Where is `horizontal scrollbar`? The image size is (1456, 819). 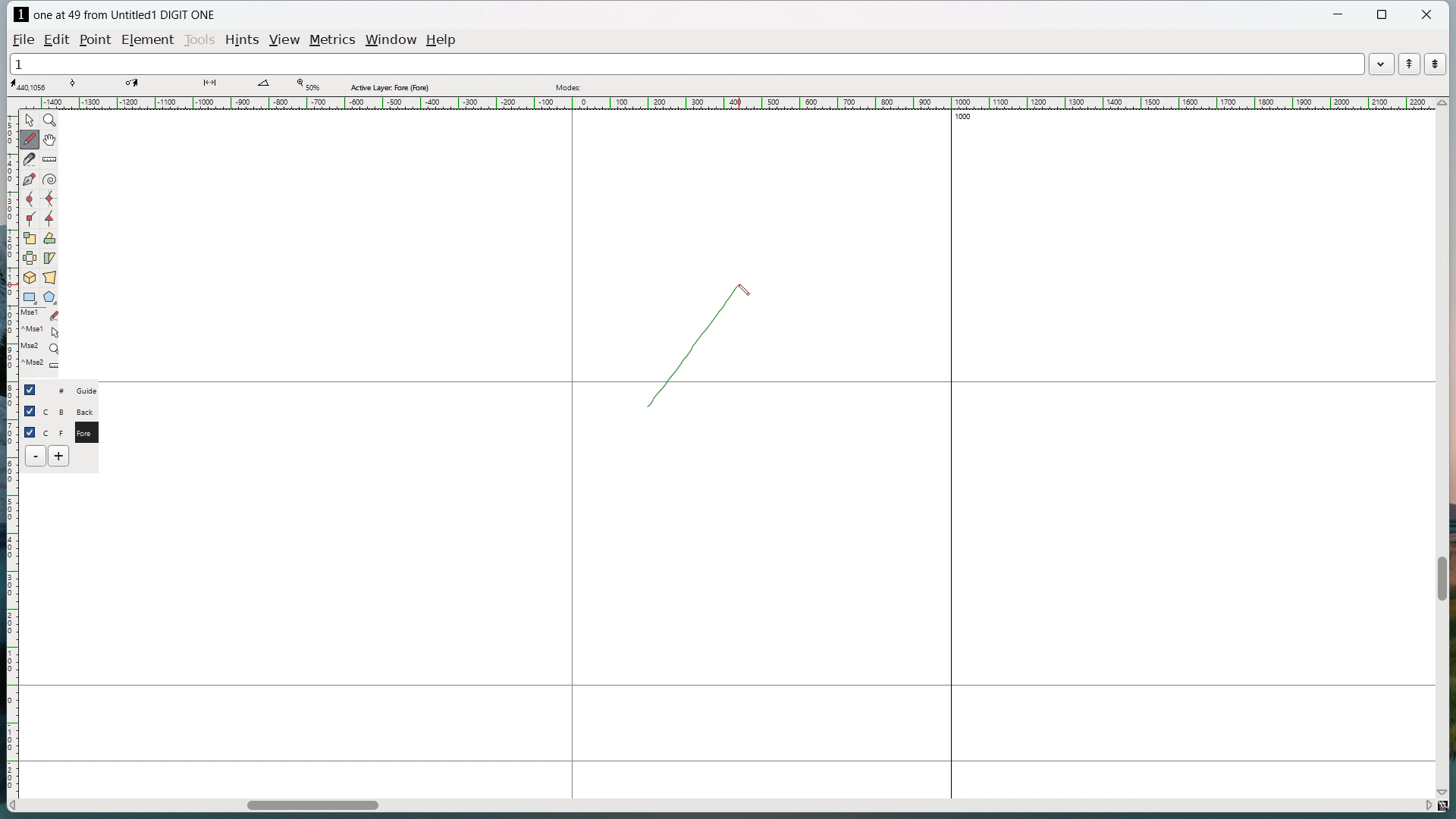
horizontal scrollbar is located at coordinates (312, 808).